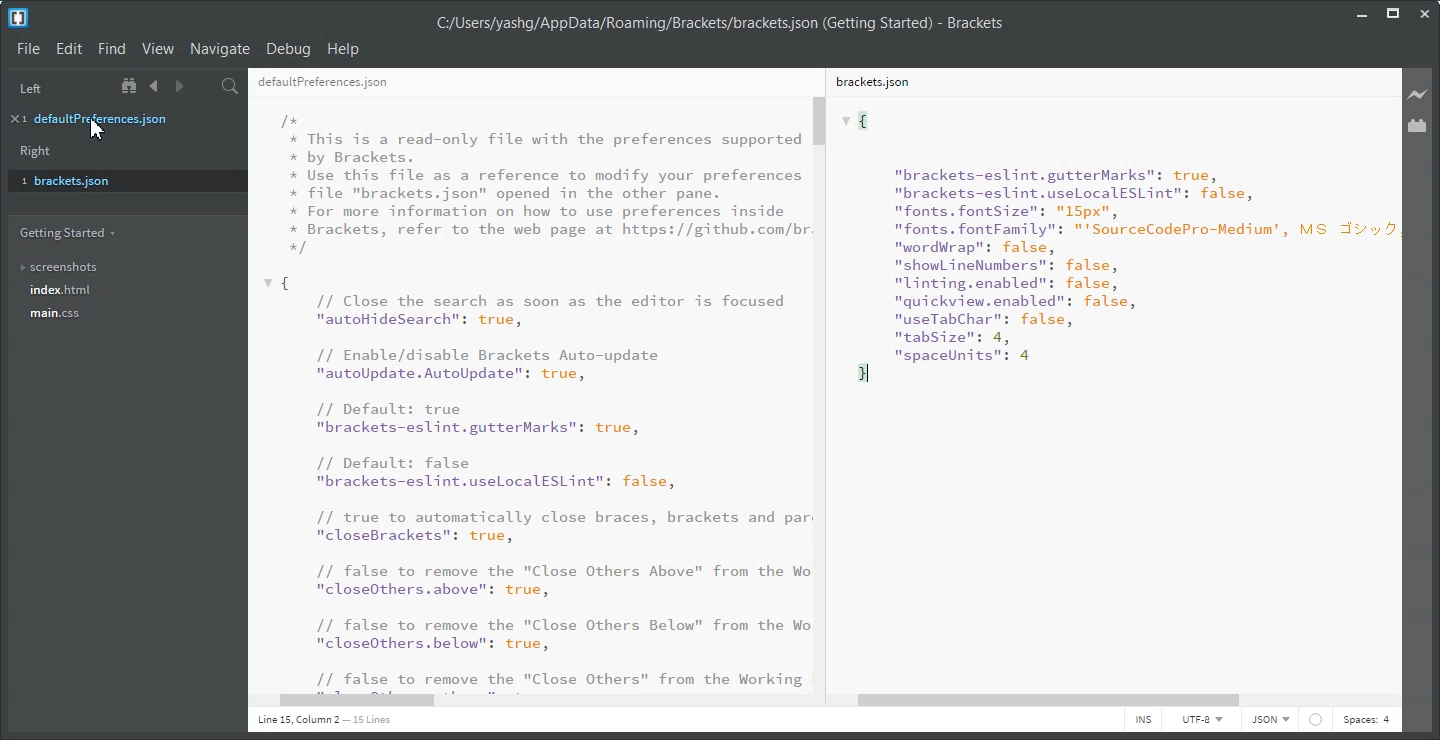 The image size is (1440, 740). What do you see at coordinates (220, 48) in the screenshot?
I see `Navigate` at bounding box center [220, 48].